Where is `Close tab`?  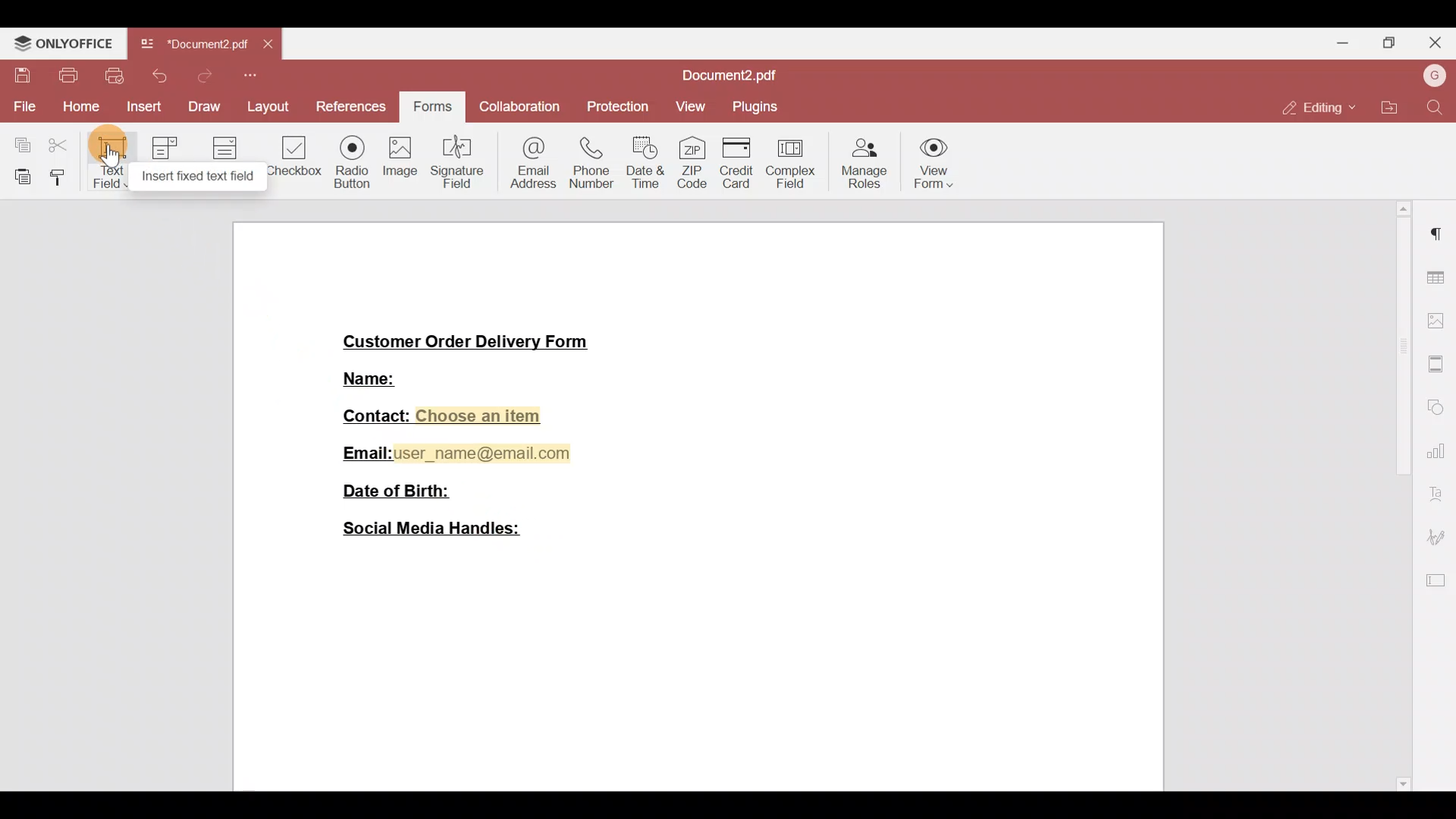
Close tab is located at coordinates (271, 47).